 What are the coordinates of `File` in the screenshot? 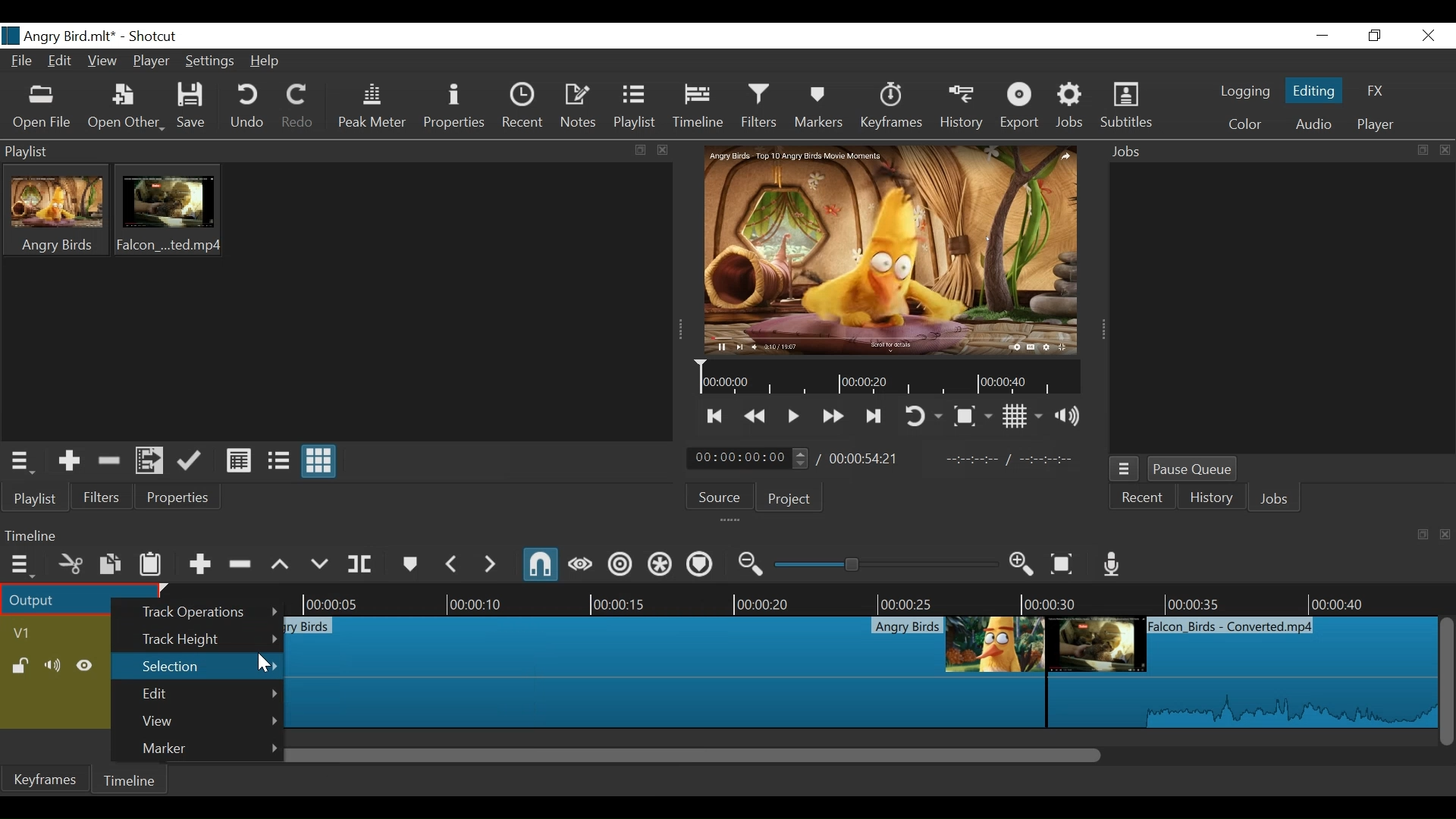 It's located at (22, 61).